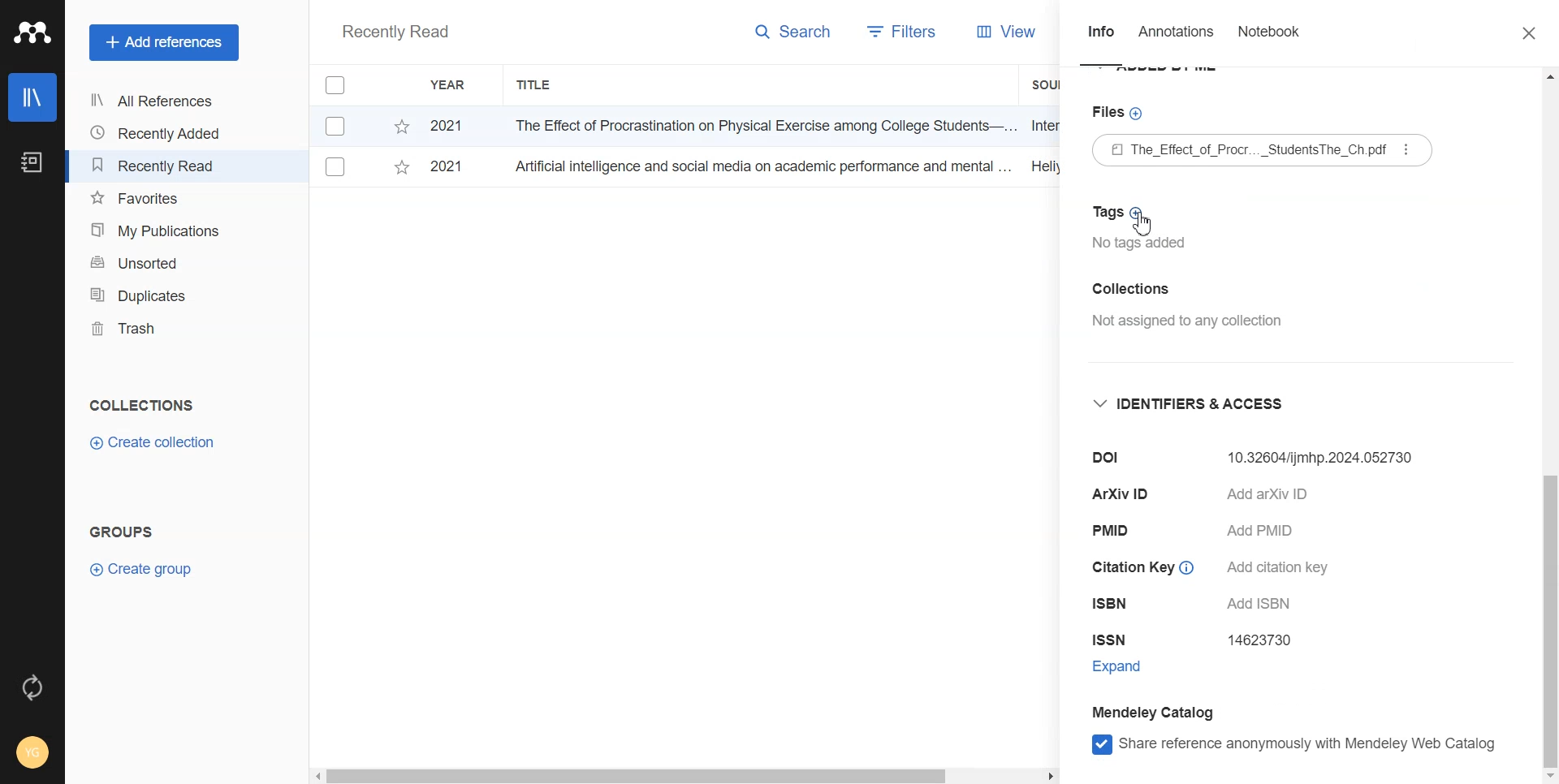 This screenshot has width=1559, height=784. Describe the element at coordinates (159, 329) in the screenshot. I see `Trash` at that location.